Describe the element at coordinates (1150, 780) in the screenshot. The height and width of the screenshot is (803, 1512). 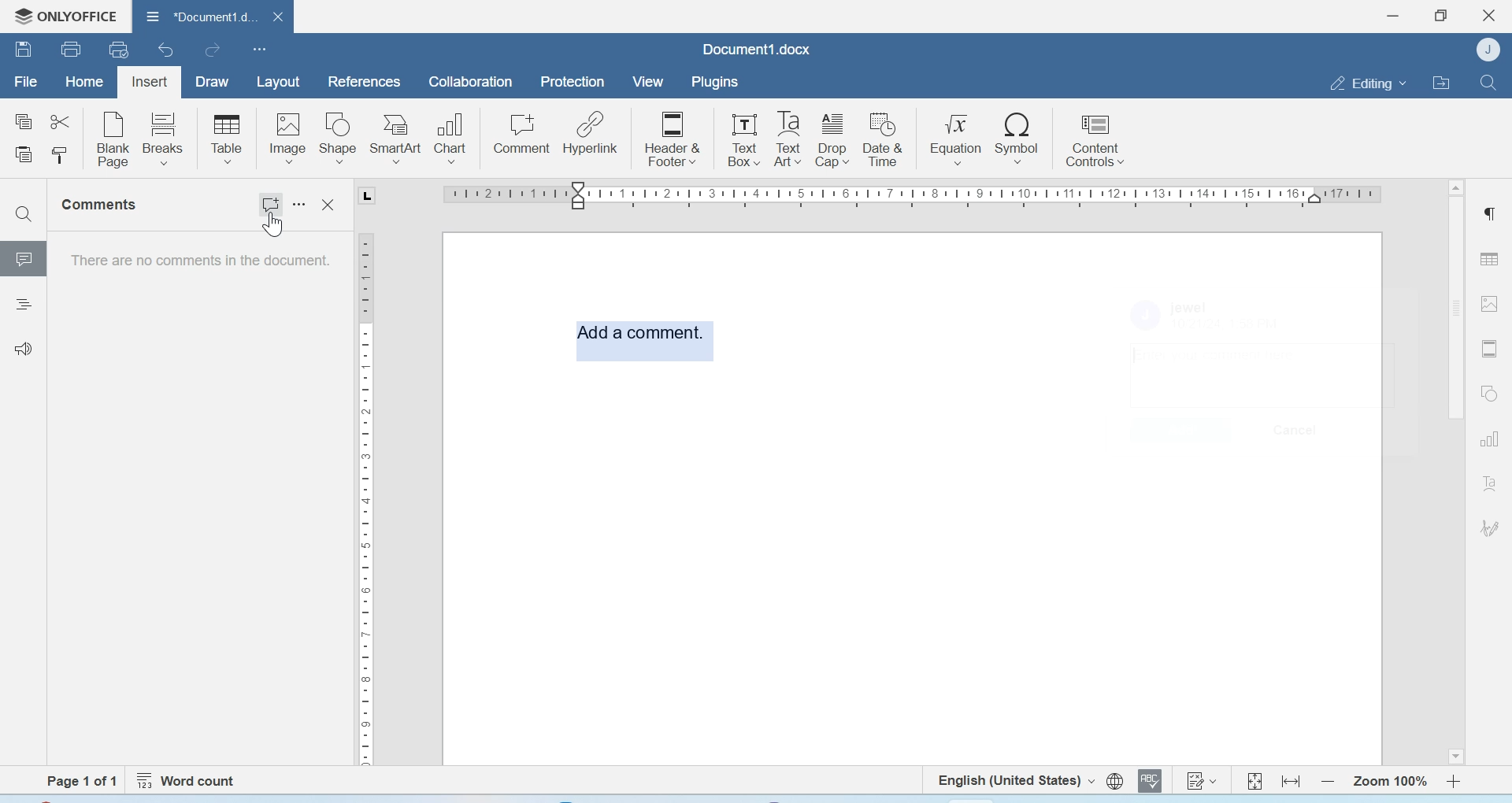
I see `Spell checking` at that location.